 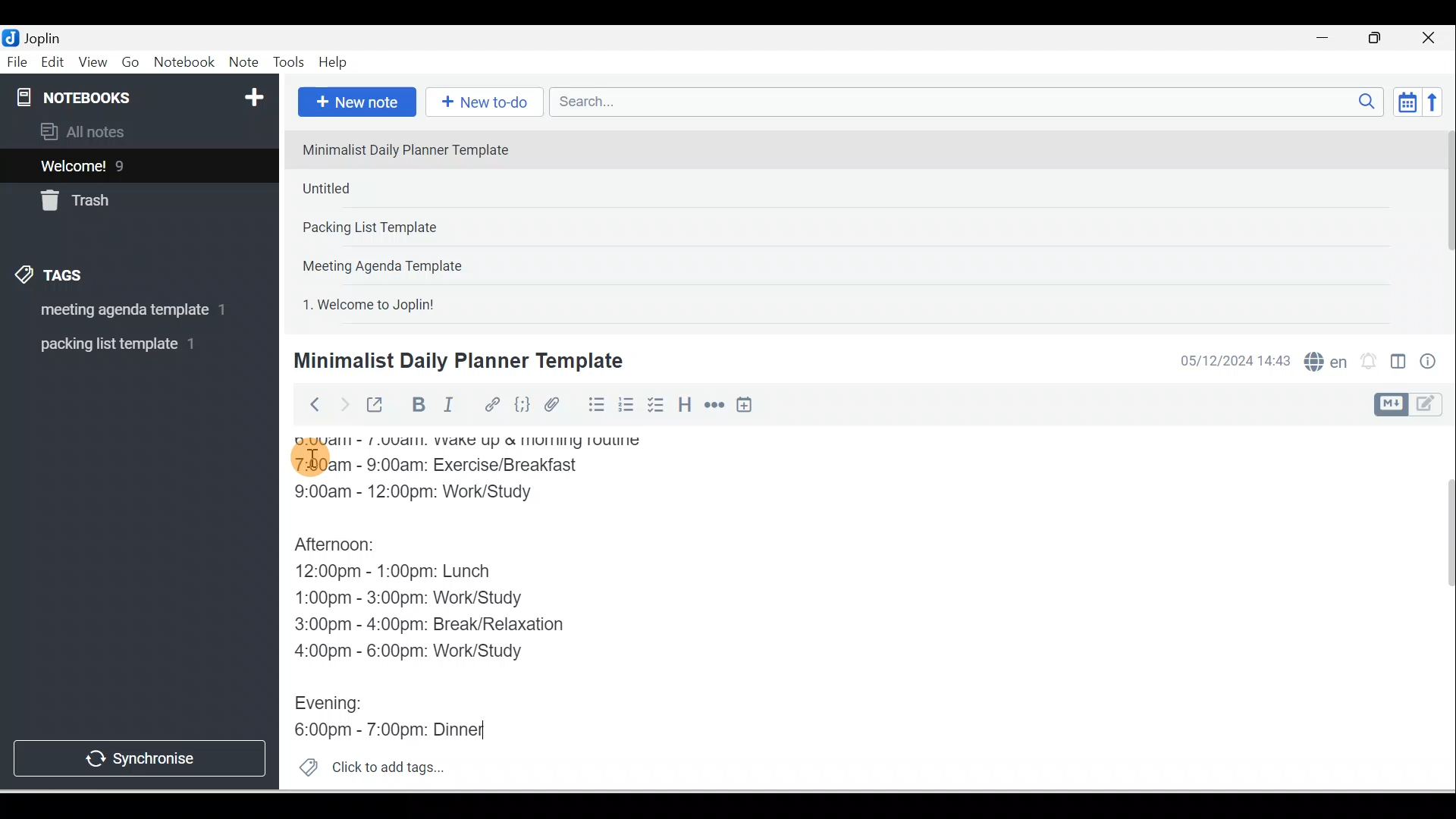 What do you see at coordinates (451, 407) in the screenshot?
I see `Italic` at bounding box center [451, 407].